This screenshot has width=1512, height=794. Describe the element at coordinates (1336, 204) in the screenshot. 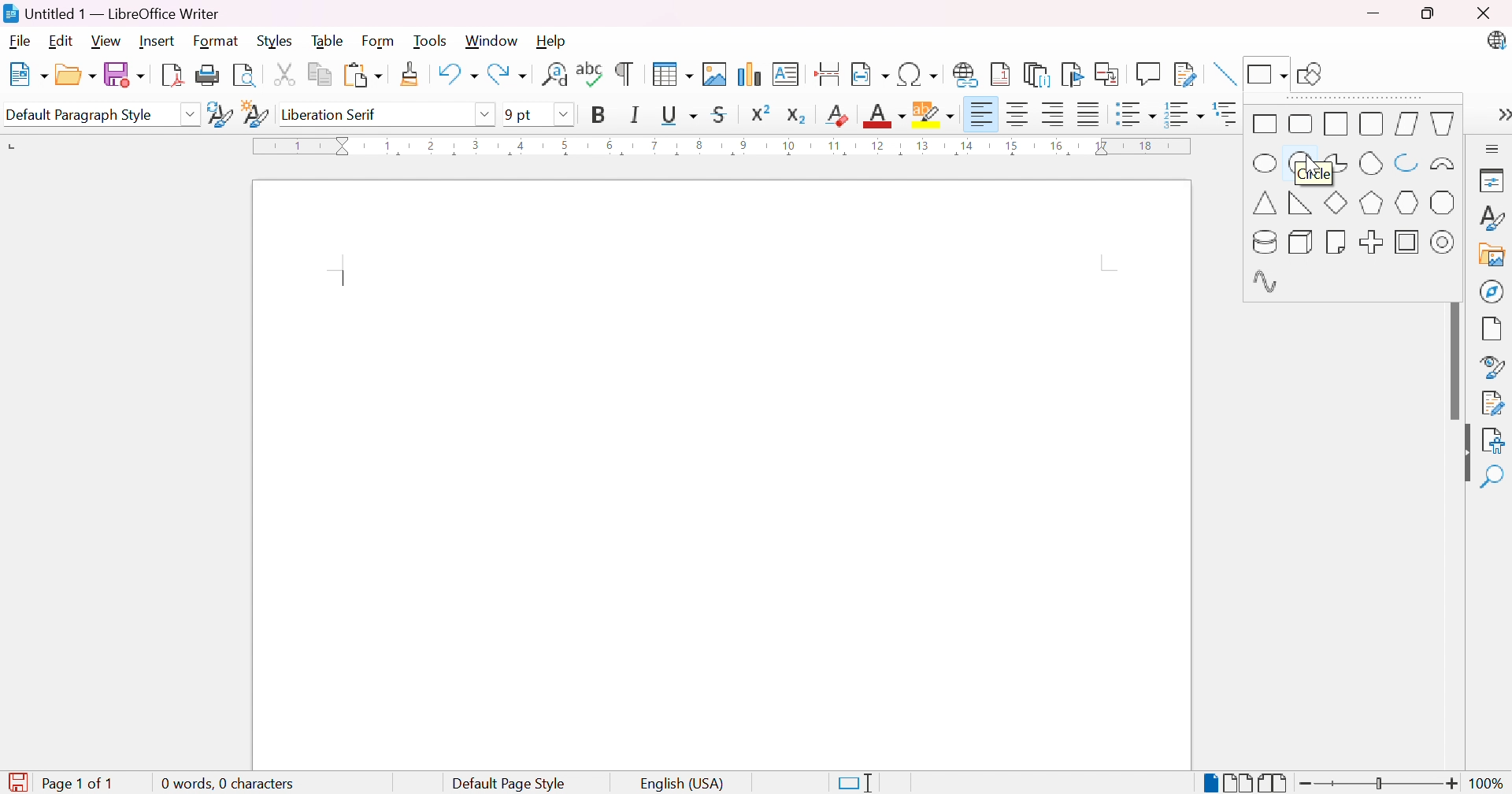

I see `Diamond` at that location.